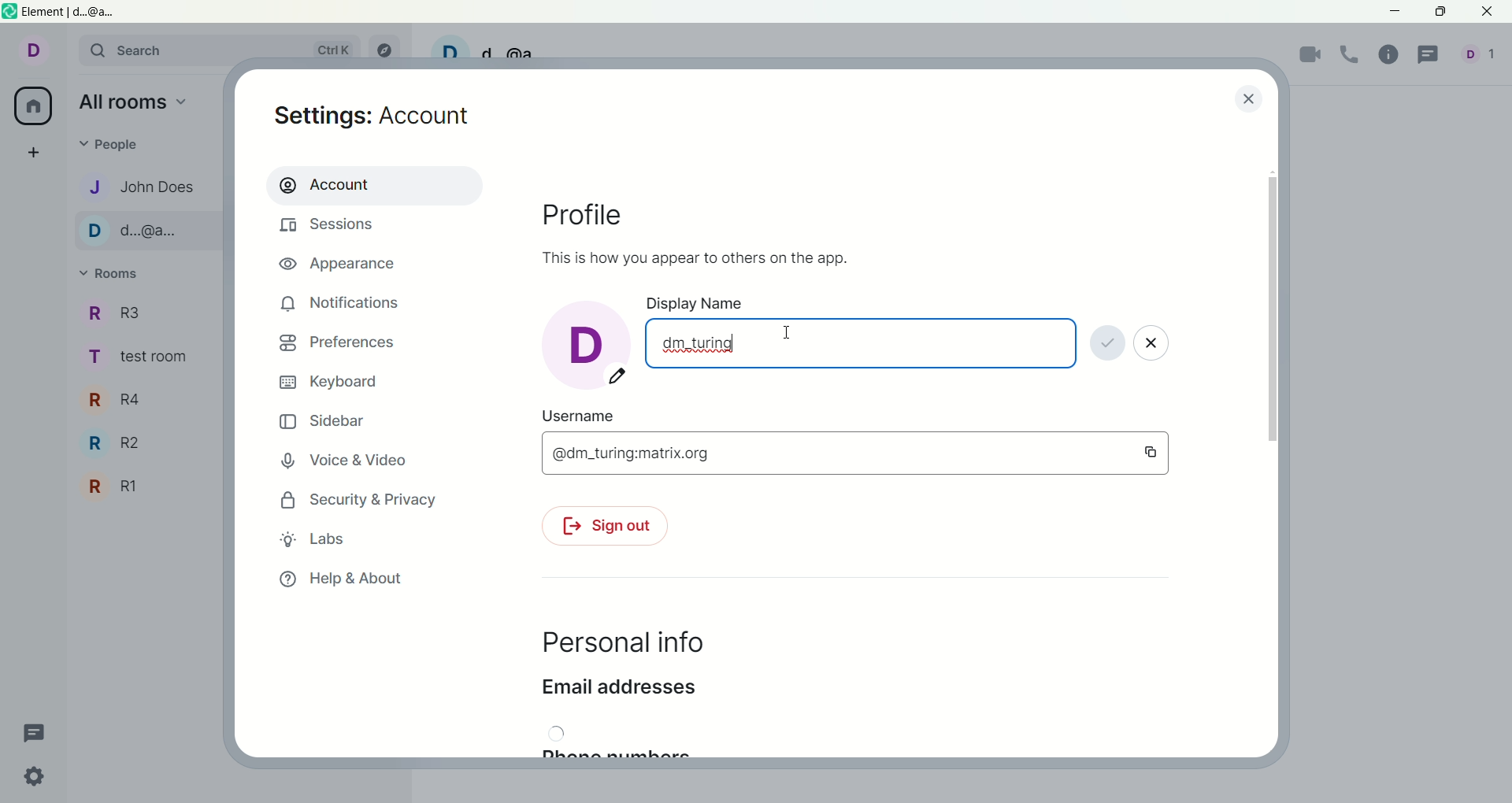 The width and height of the screenshot is (1512, 803). What do you see at coordinates (121, 400) in the screenshot?
I see `R4` at bounding box center [121, 400].